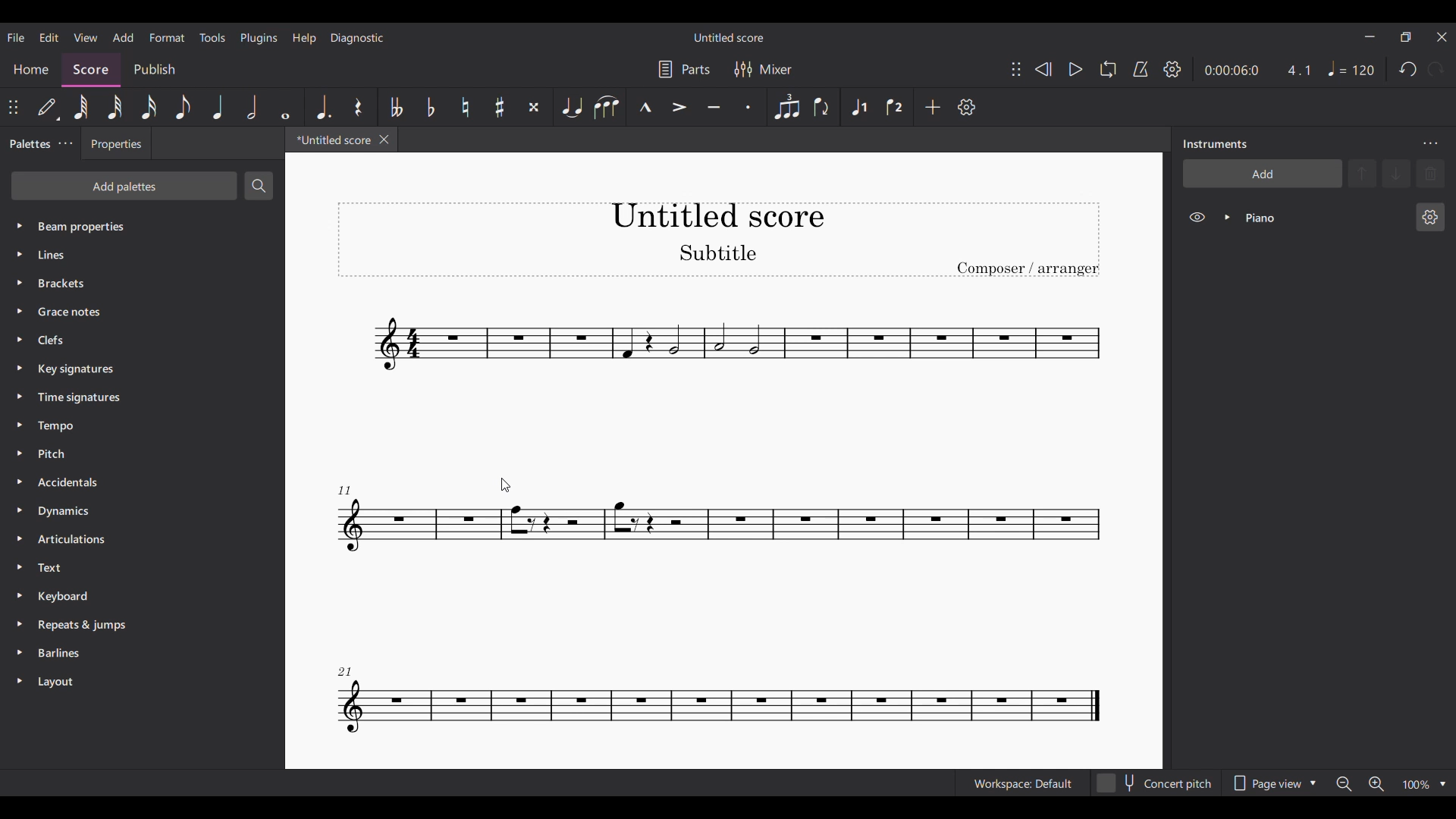 This screenshot has width=1456, height=819. I want to click on Delete, so click(1430, 174).